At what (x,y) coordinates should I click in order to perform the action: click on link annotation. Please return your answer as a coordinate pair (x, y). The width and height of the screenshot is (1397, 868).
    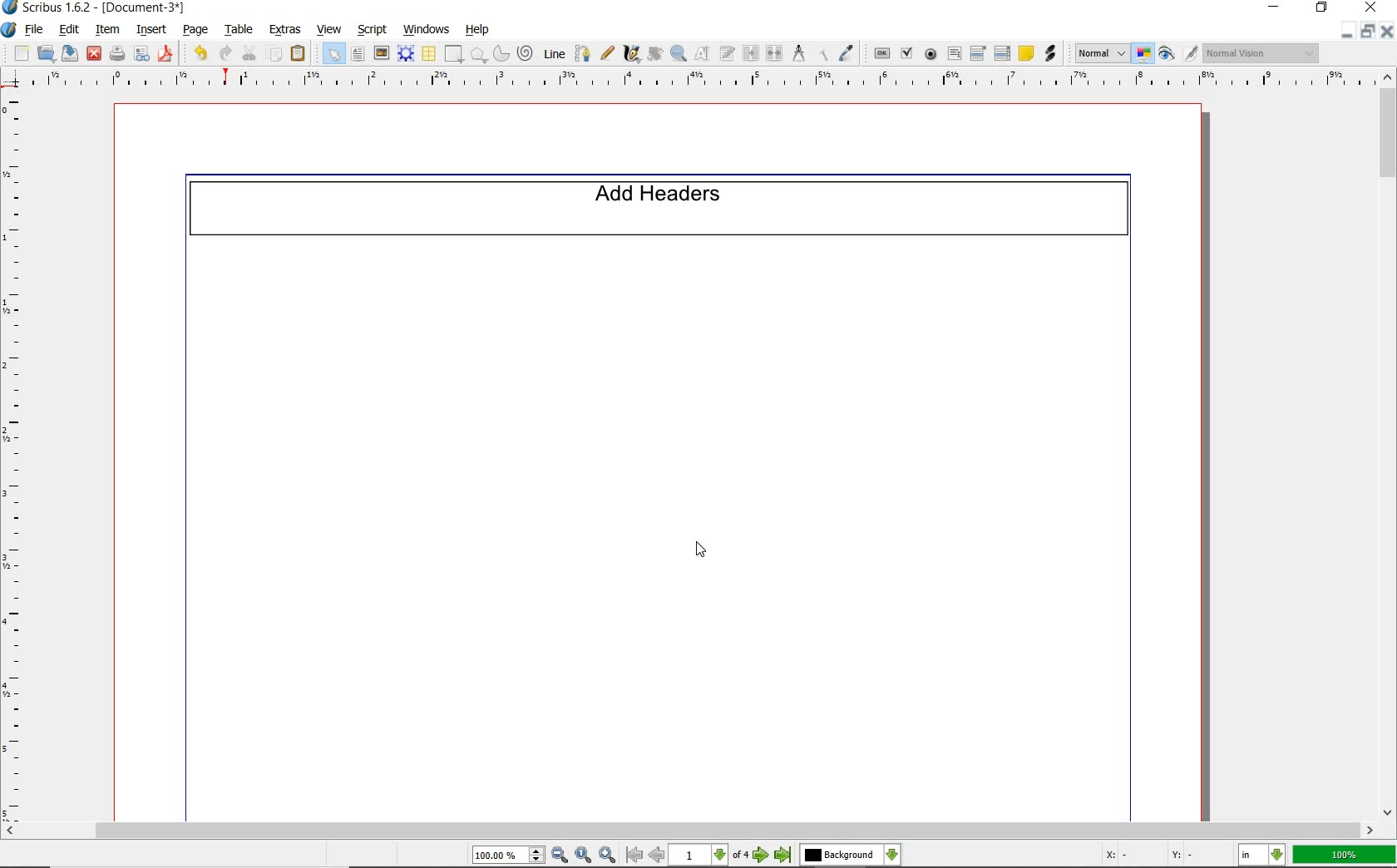
    Looking at the image, I should click on (1051, 53).